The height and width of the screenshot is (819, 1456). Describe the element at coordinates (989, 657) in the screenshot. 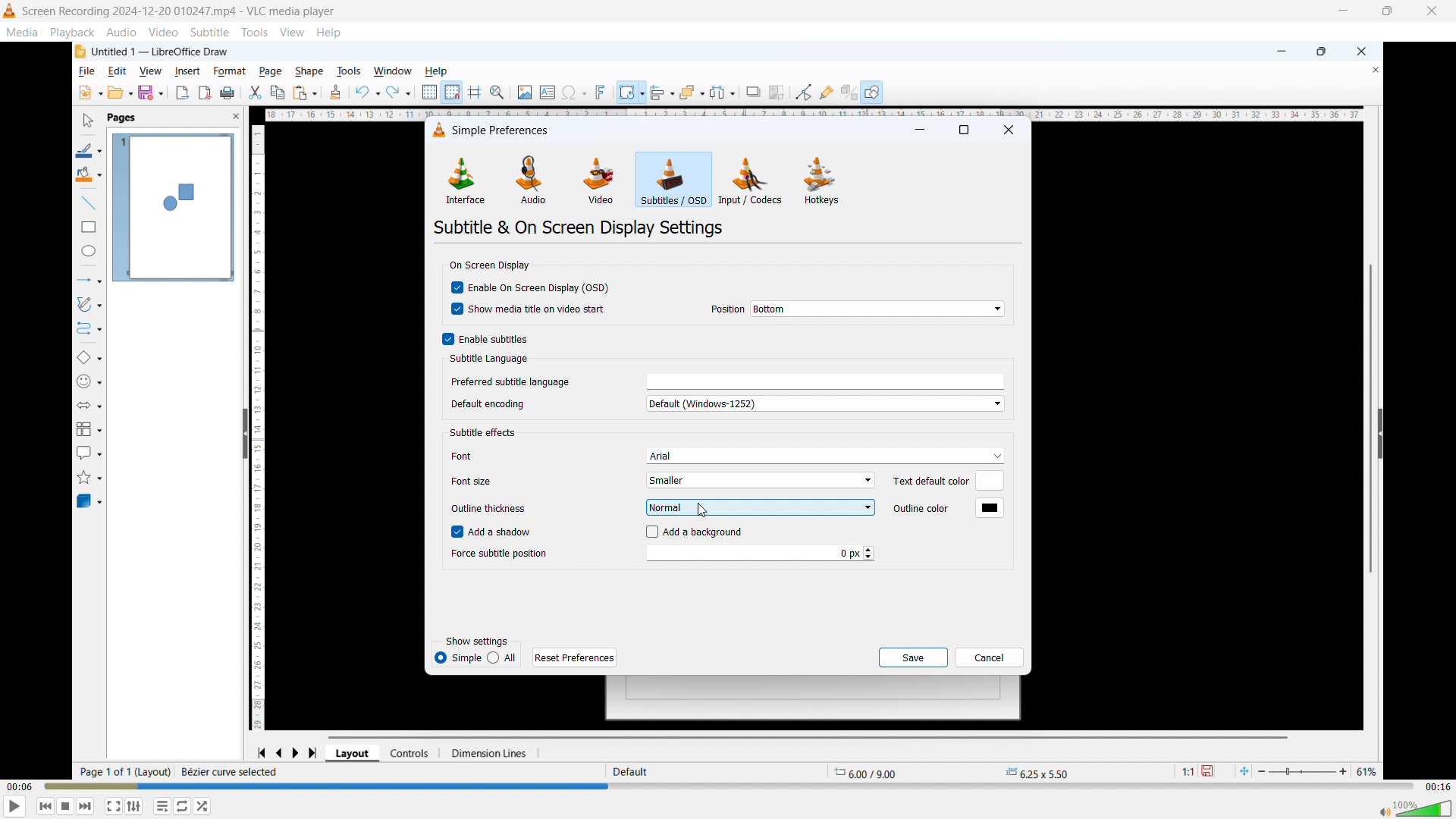

I see `cancel` at that location.